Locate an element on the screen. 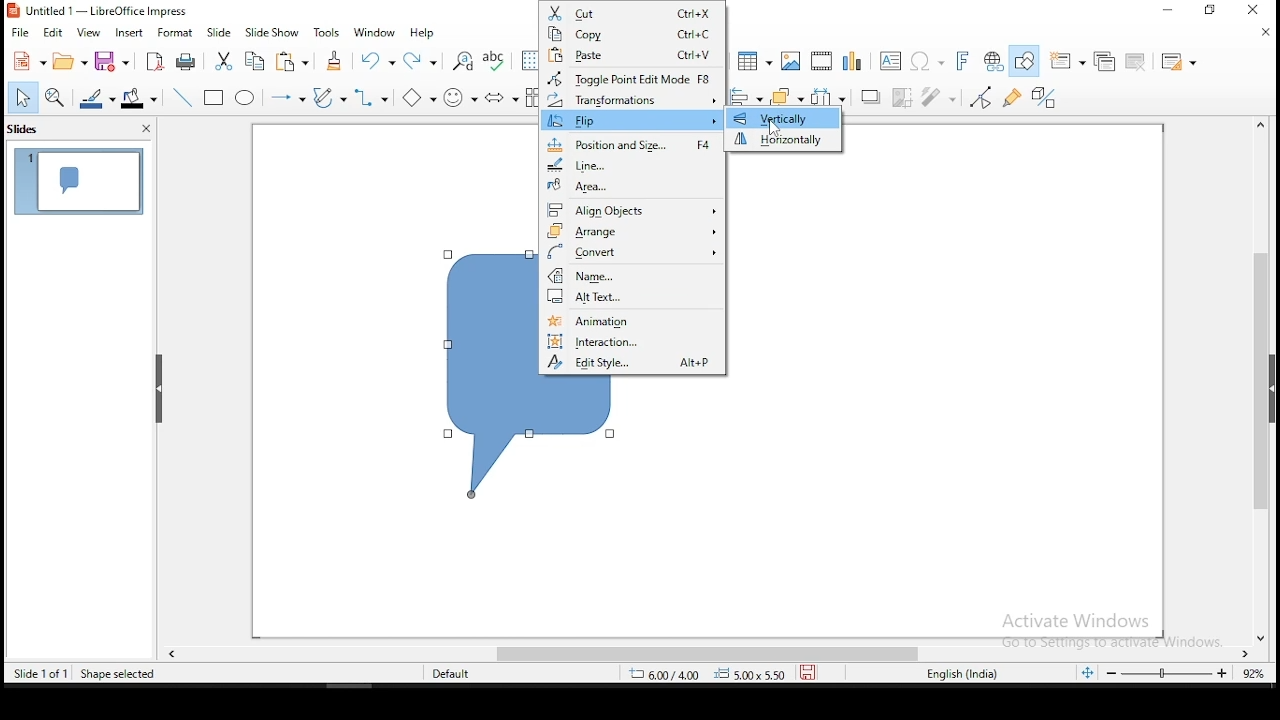 The image size is (1280, 720). shape seleted is located at coordinates (119, 674).